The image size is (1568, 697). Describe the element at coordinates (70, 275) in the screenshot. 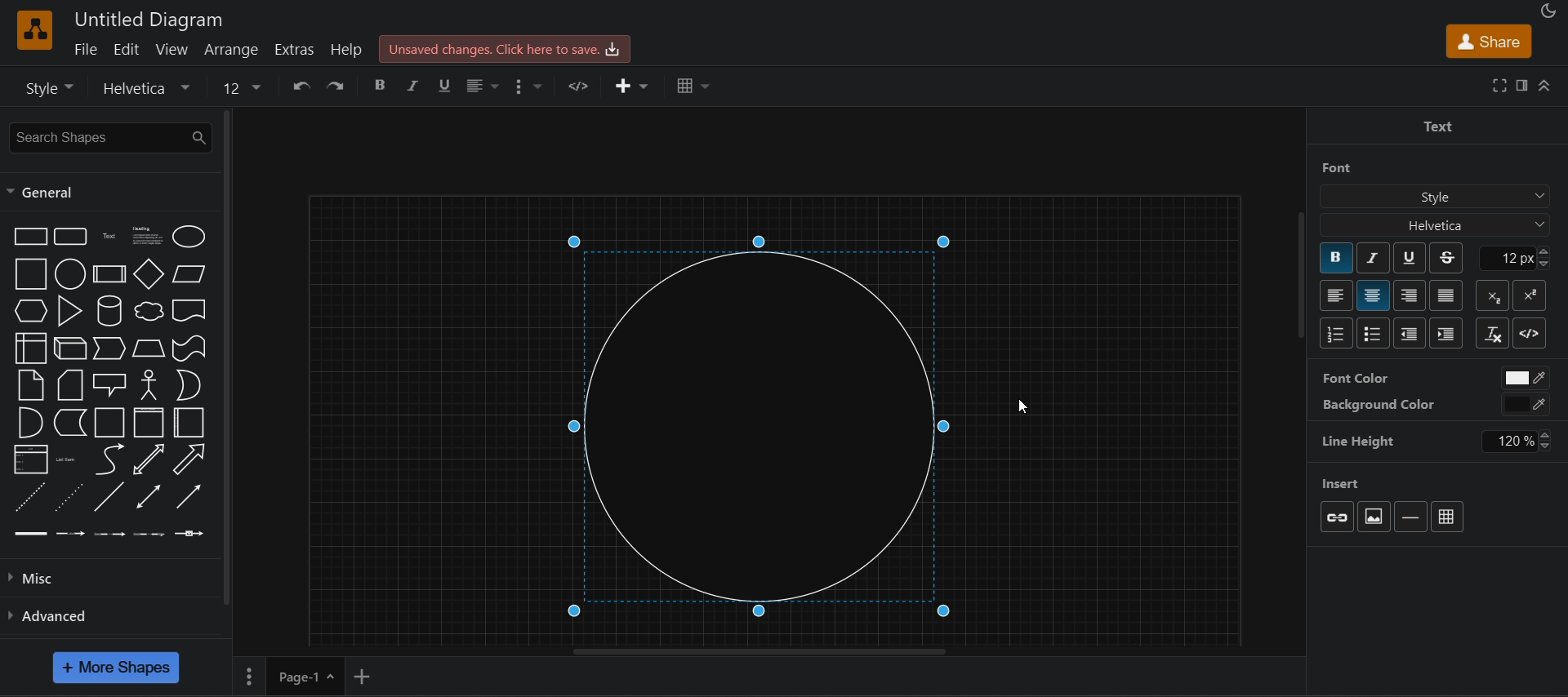

I see `circle` at that location.